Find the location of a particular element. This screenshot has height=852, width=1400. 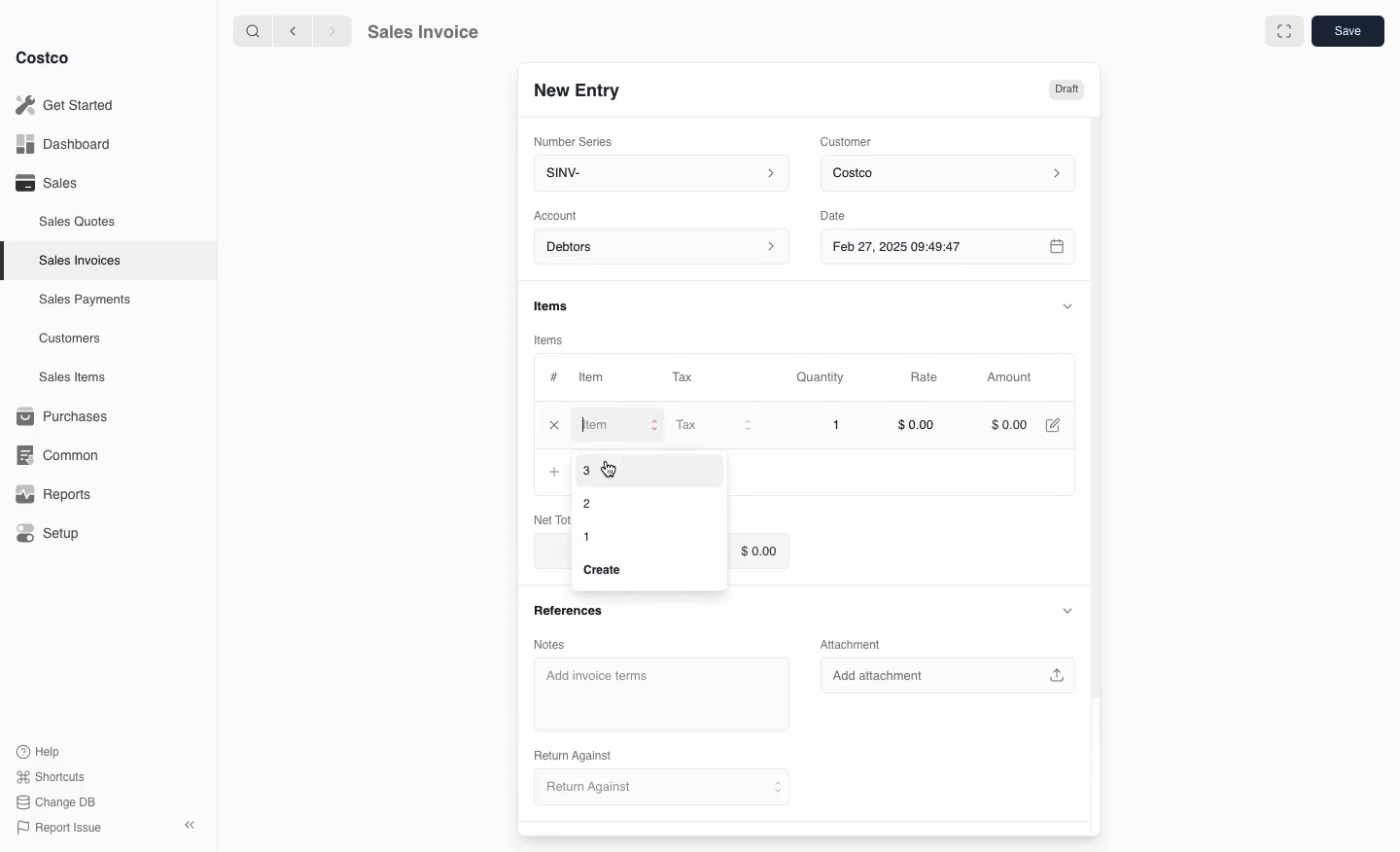

‘Account is located at coordinates (559, 214).